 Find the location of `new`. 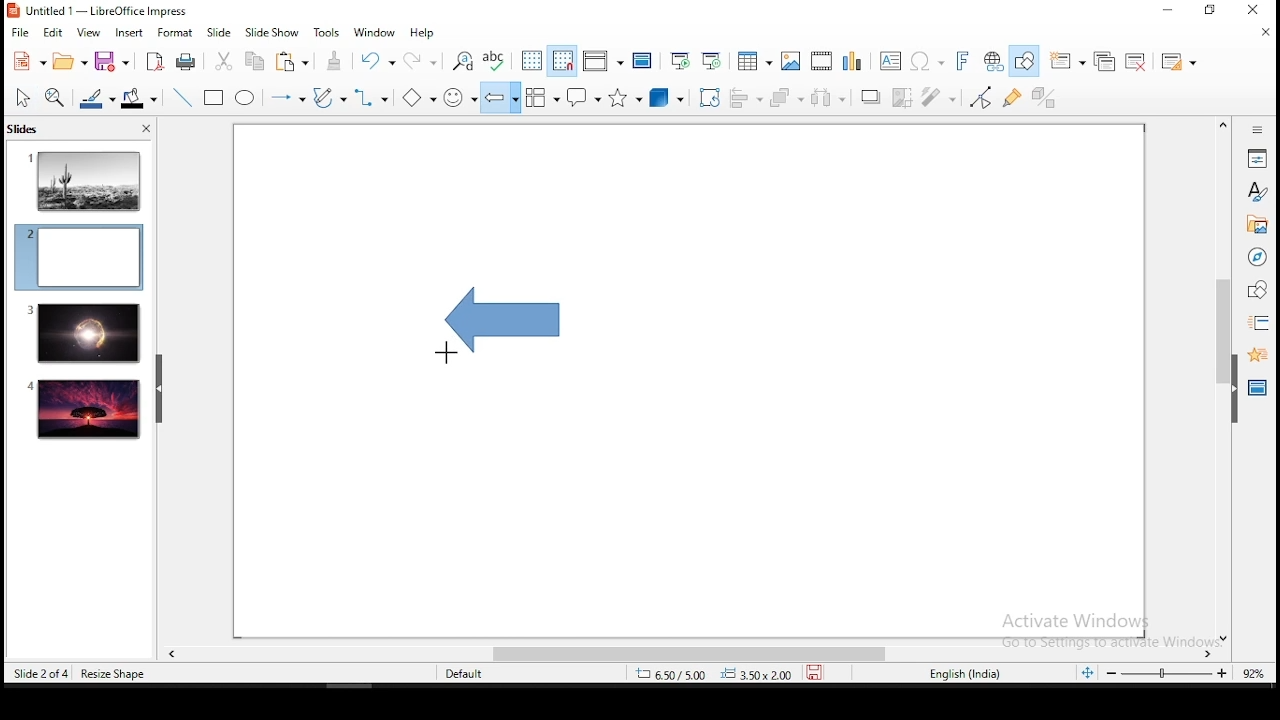

new is located at coordinates (25, 61).